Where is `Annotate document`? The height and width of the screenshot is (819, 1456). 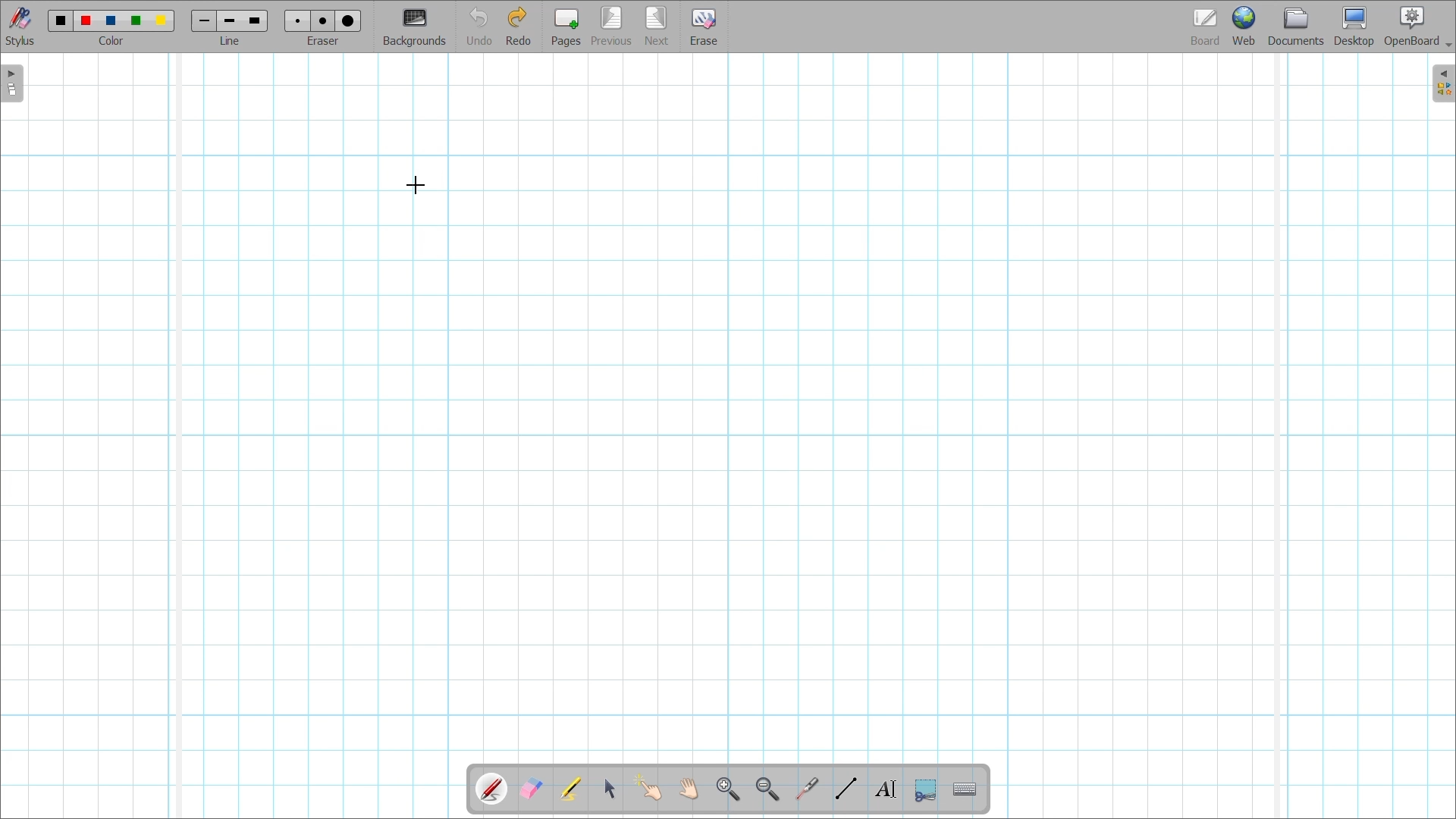
Annotate document is located at coordinates (492, 789).